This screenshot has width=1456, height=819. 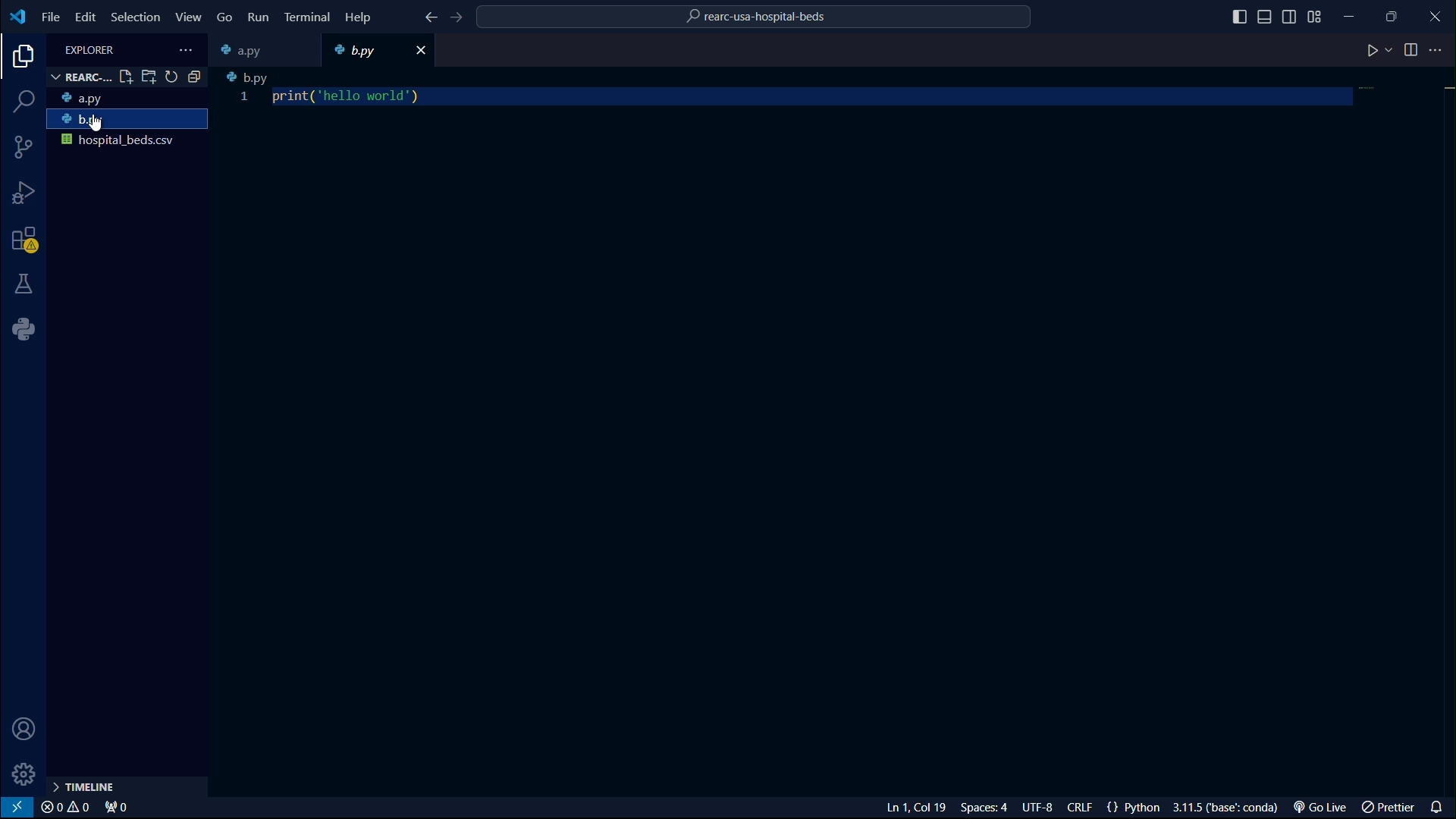 I want to click on open folder, so click(x=149, y=77).